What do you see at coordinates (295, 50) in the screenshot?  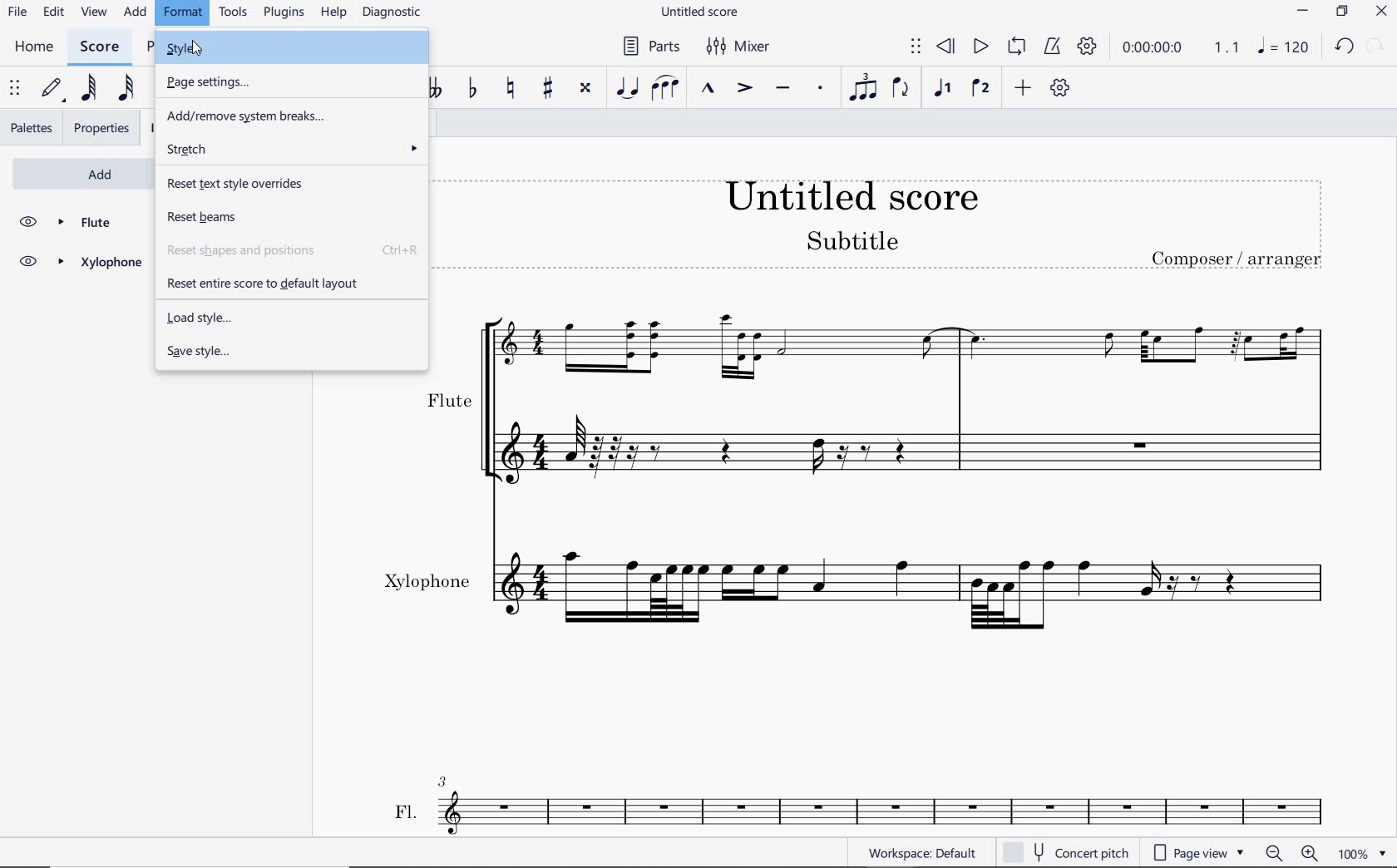 I see `style` at bounding box center [295, 50].